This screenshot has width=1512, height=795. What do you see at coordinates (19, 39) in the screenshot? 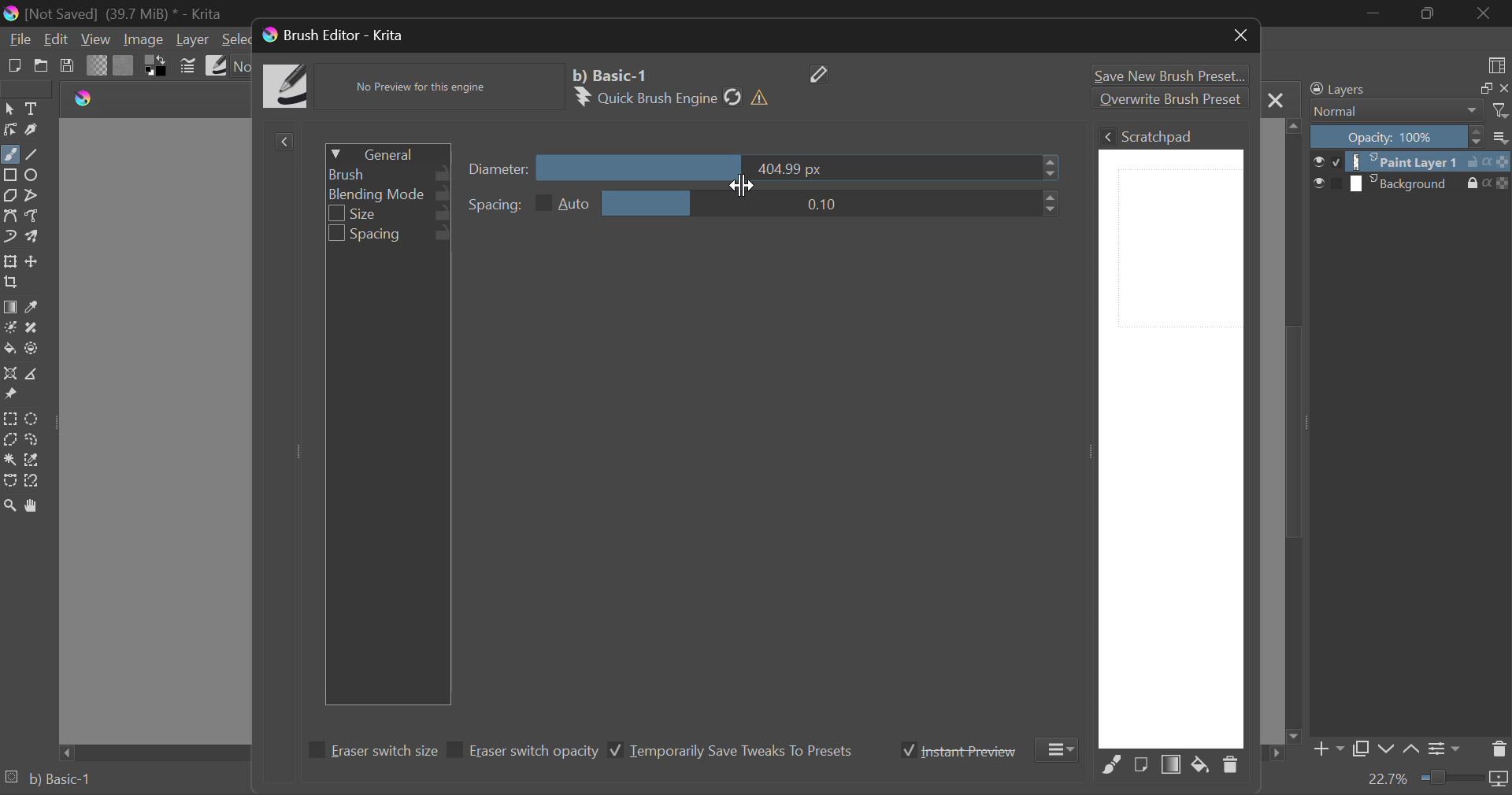
I see `File` at bounding box center [19, 39].